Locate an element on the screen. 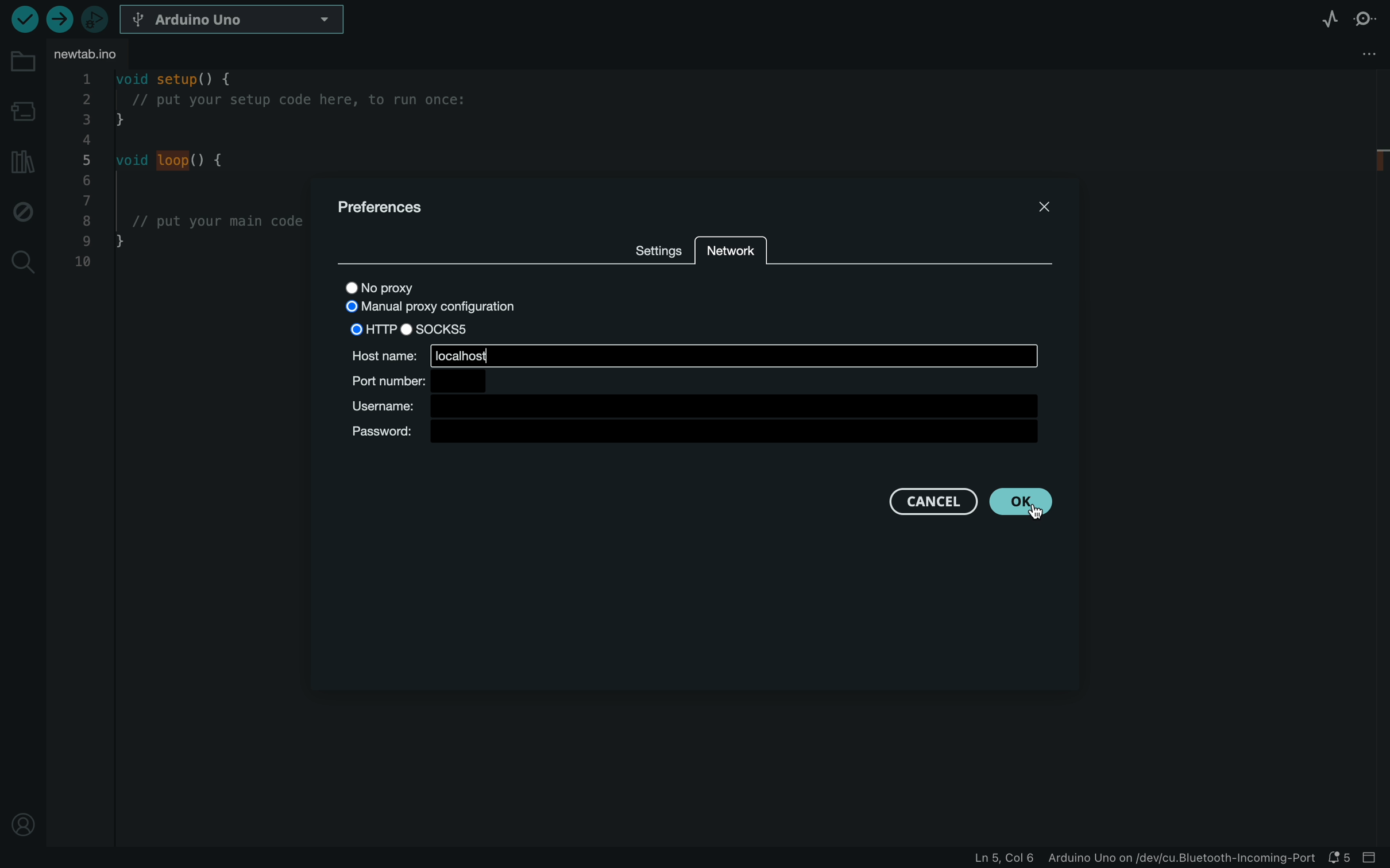 The width and height of the screenshot is (1390, 868). password is located at coordinates (698, 435).